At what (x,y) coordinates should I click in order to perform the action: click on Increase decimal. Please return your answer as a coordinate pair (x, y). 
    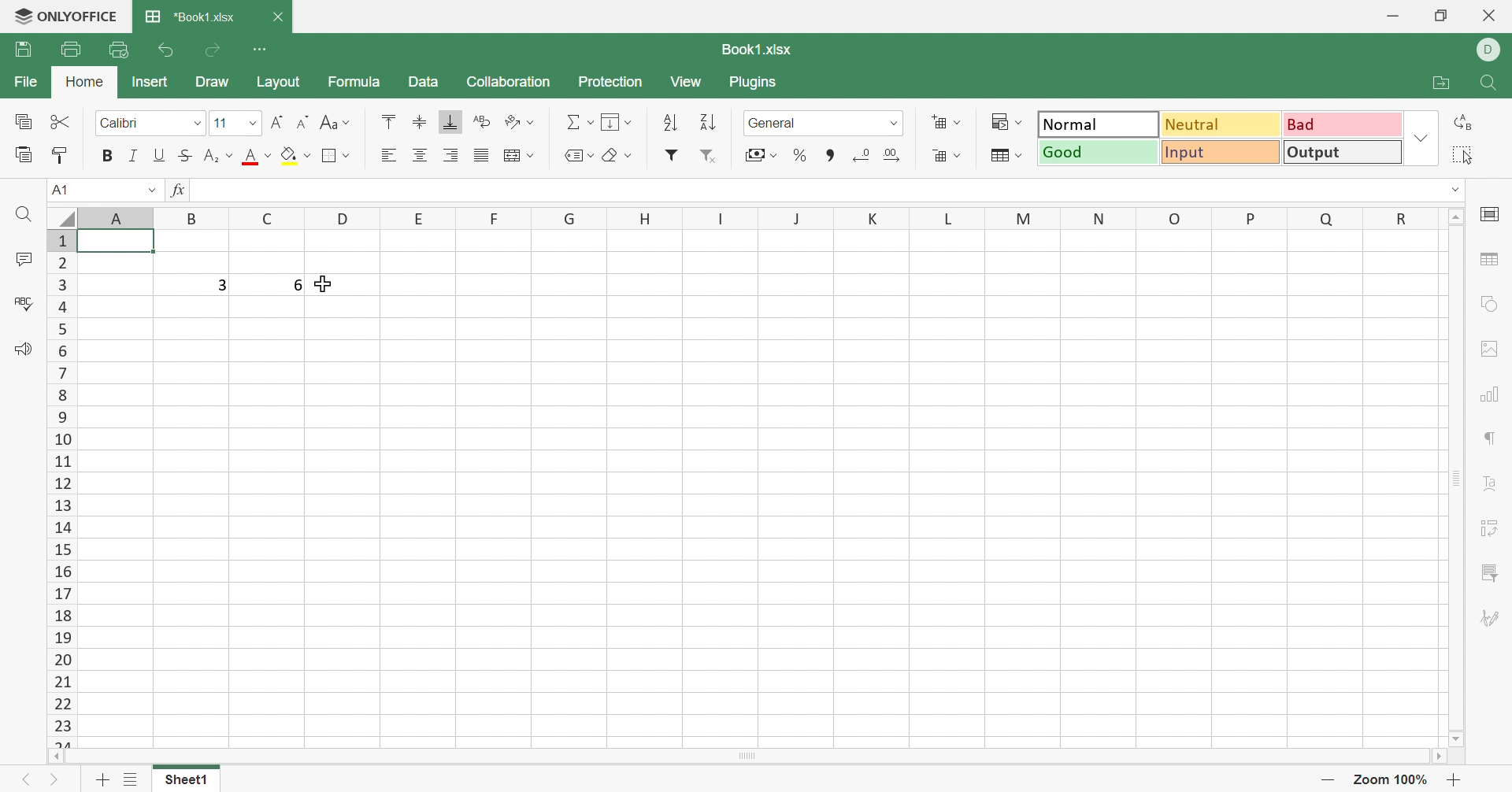
    Looking at the image, I should click on (892, 156).